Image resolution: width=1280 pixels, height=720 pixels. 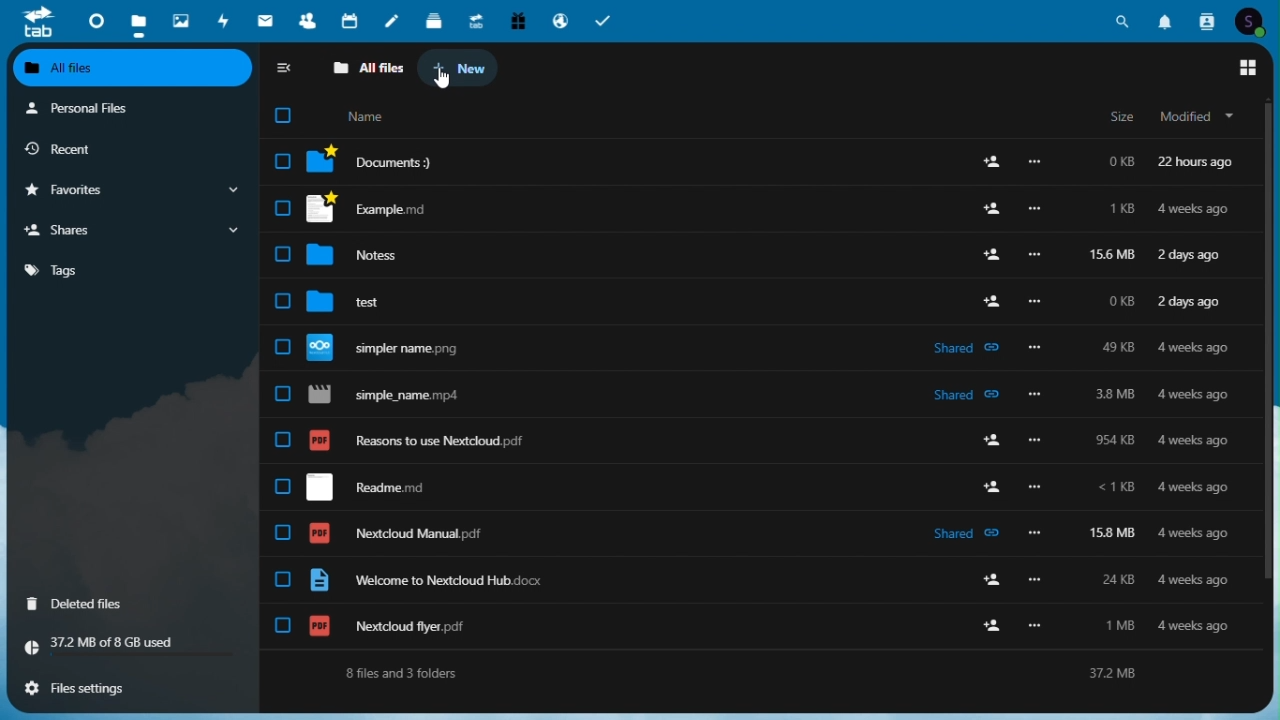 What do you see at coordinates (1195, 626) in the screenshot?
I see `4 weeks ago` at bounding box center [1195, 626].